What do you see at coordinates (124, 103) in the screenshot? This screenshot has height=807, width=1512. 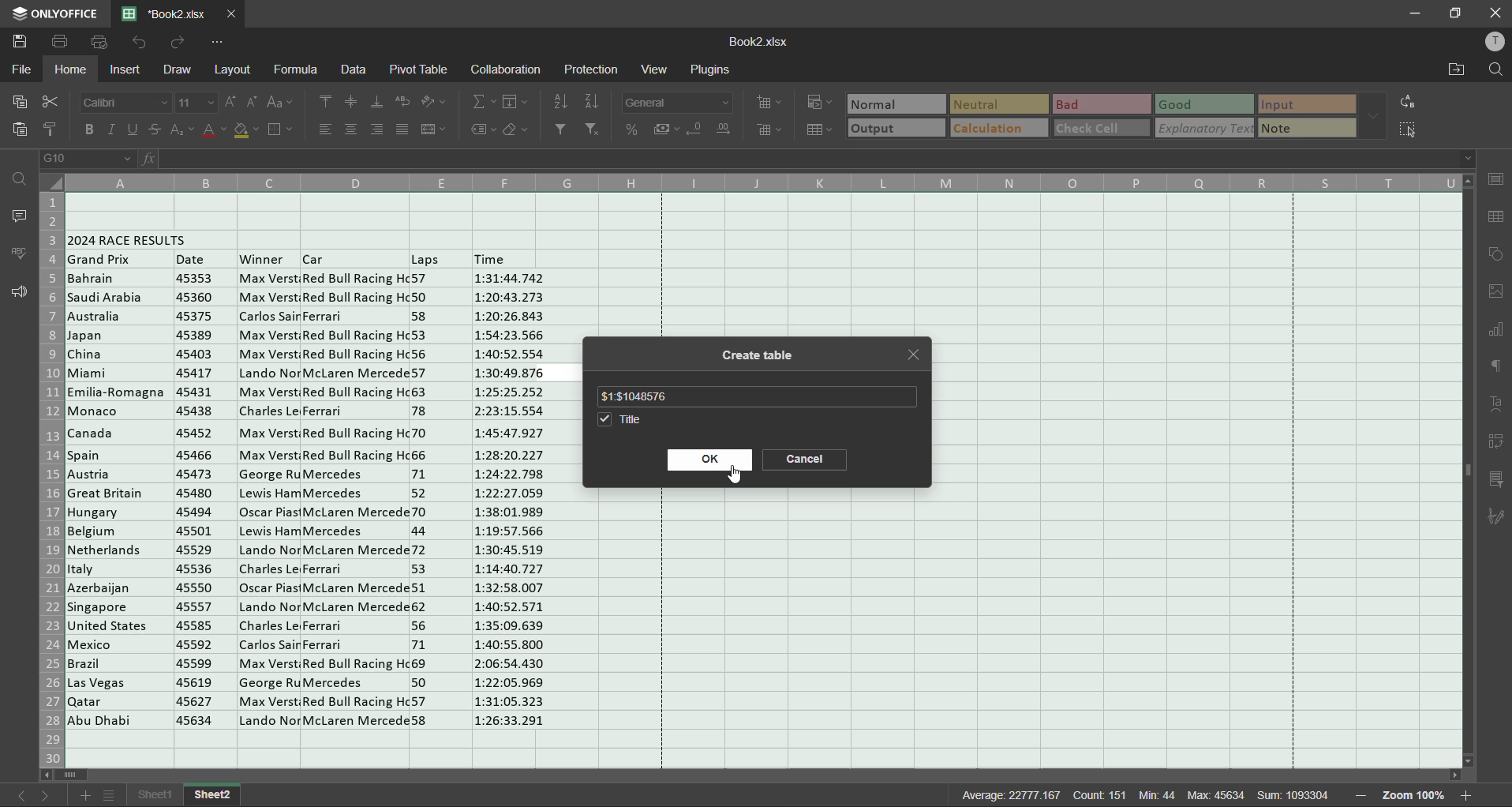 I see `font style` at bounding box center [124, 103].